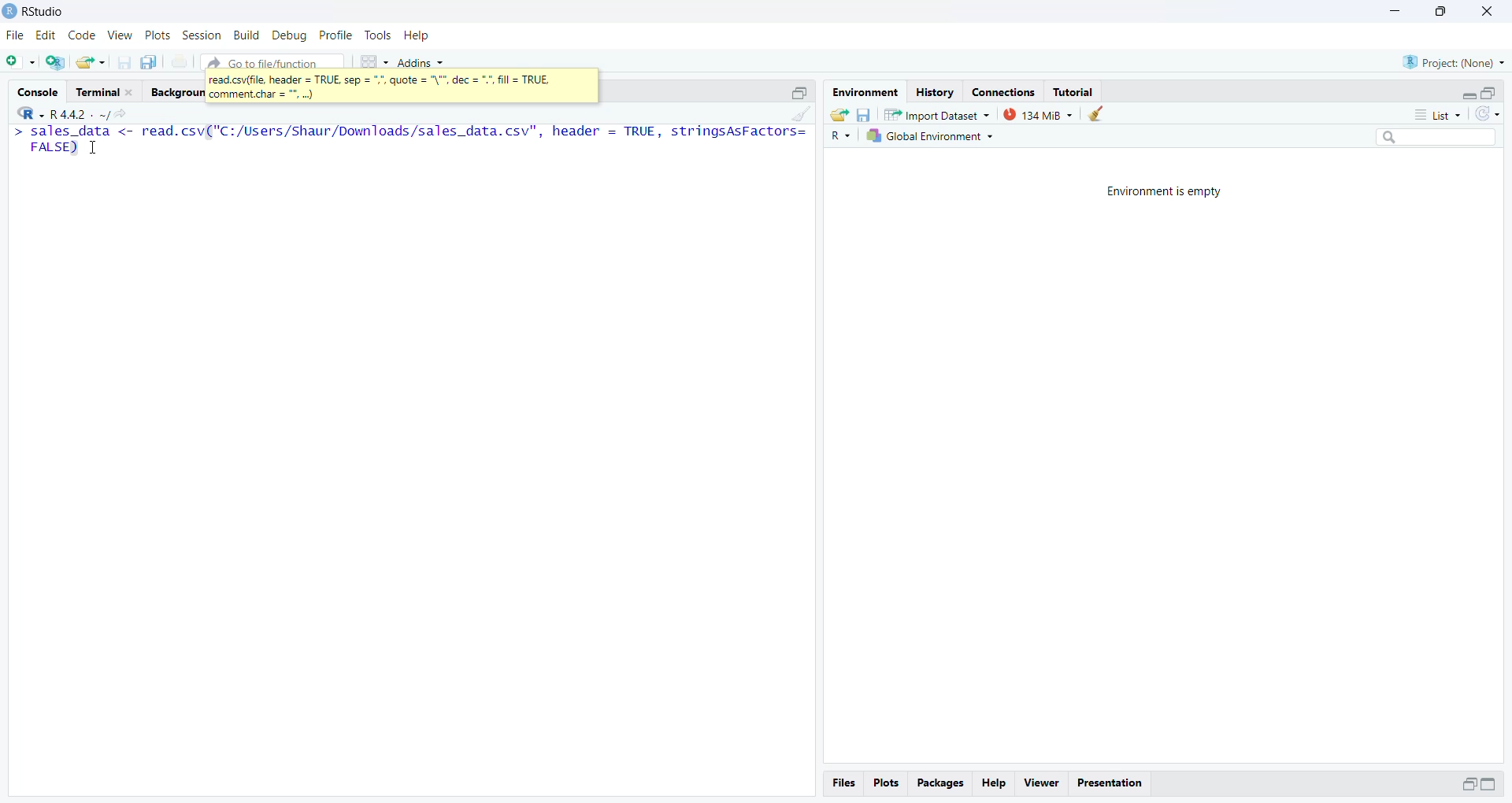  I want to click on Plots, so click(888, 783).